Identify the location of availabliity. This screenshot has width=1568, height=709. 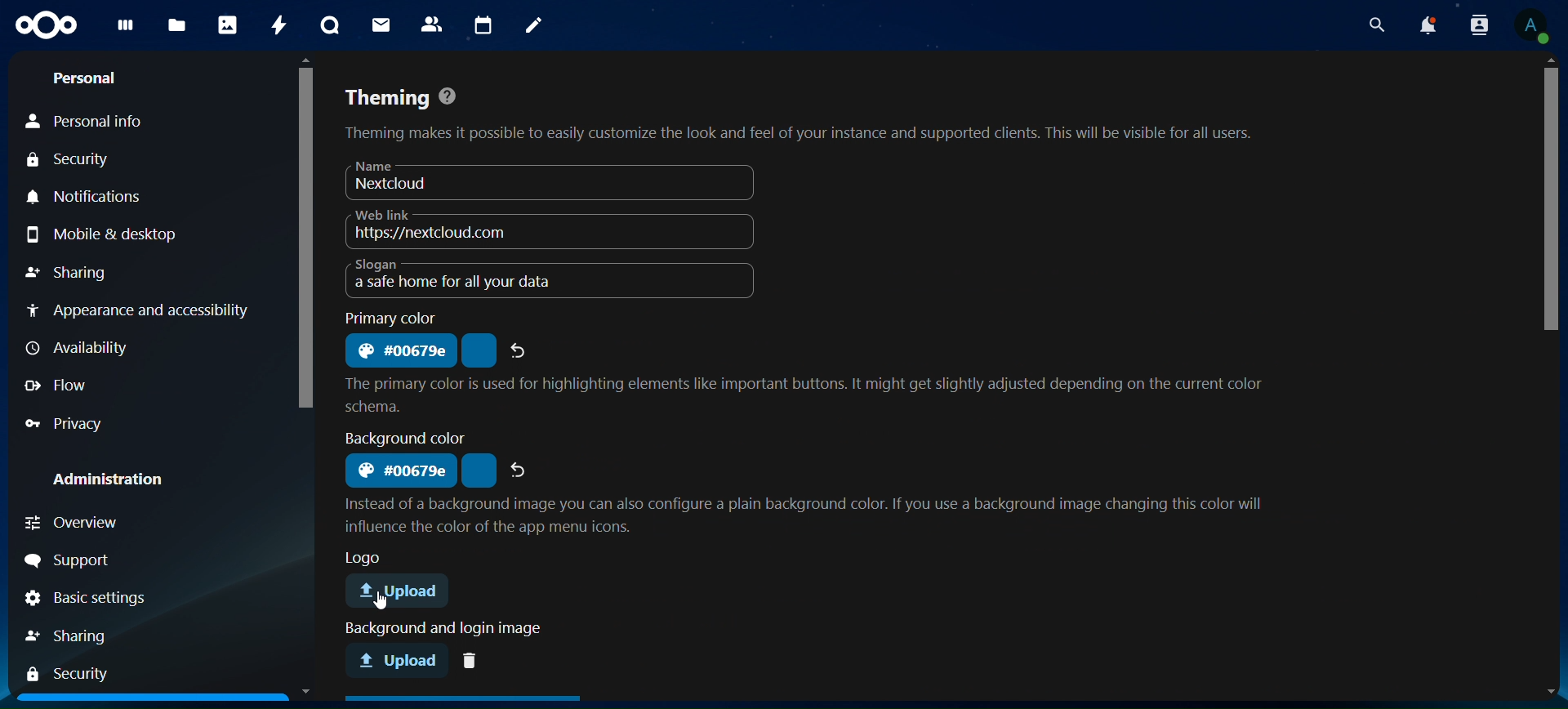
(125, 350).